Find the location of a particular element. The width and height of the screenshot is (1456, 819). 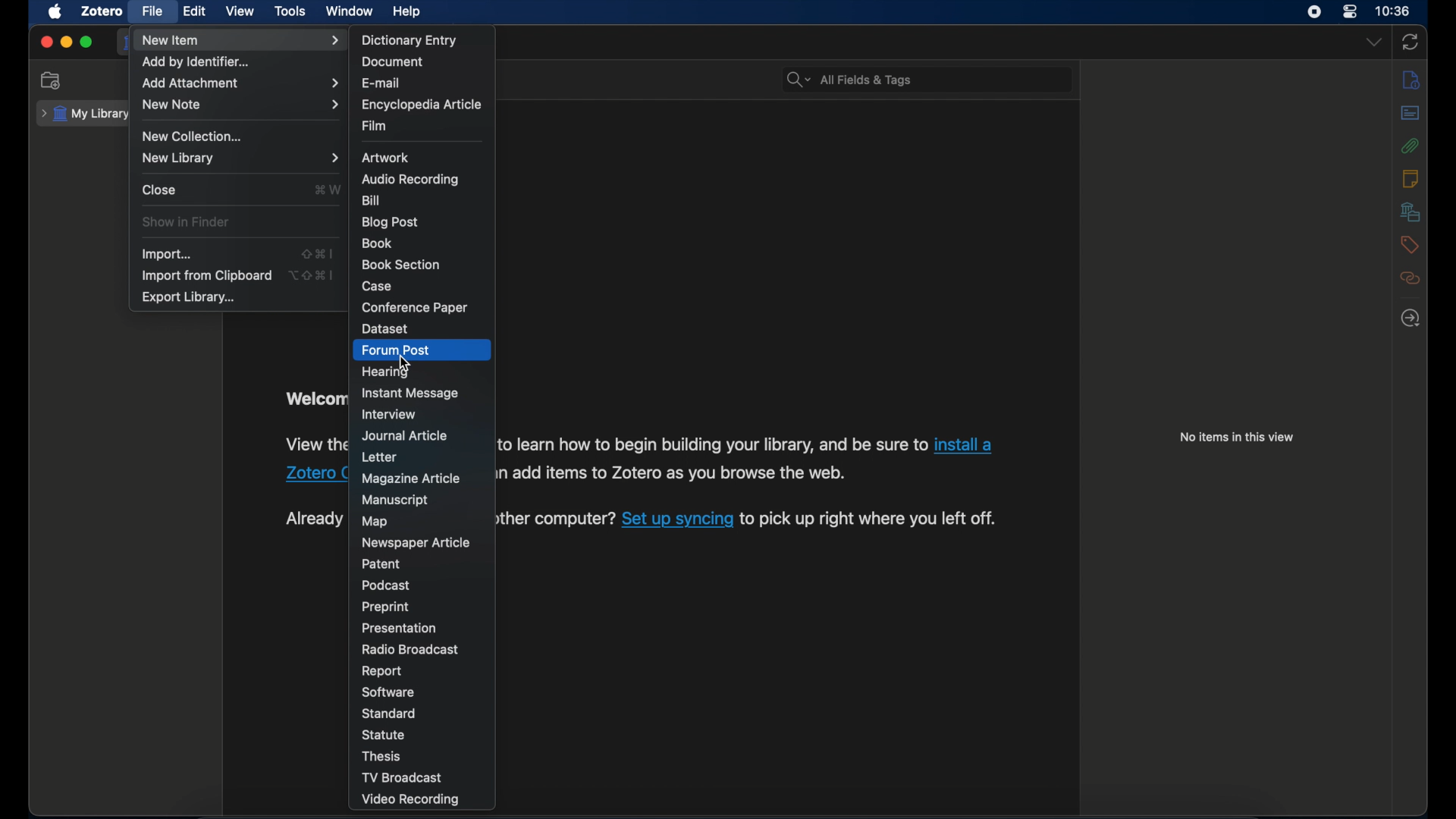

info is located at coordinates (1410, 81).